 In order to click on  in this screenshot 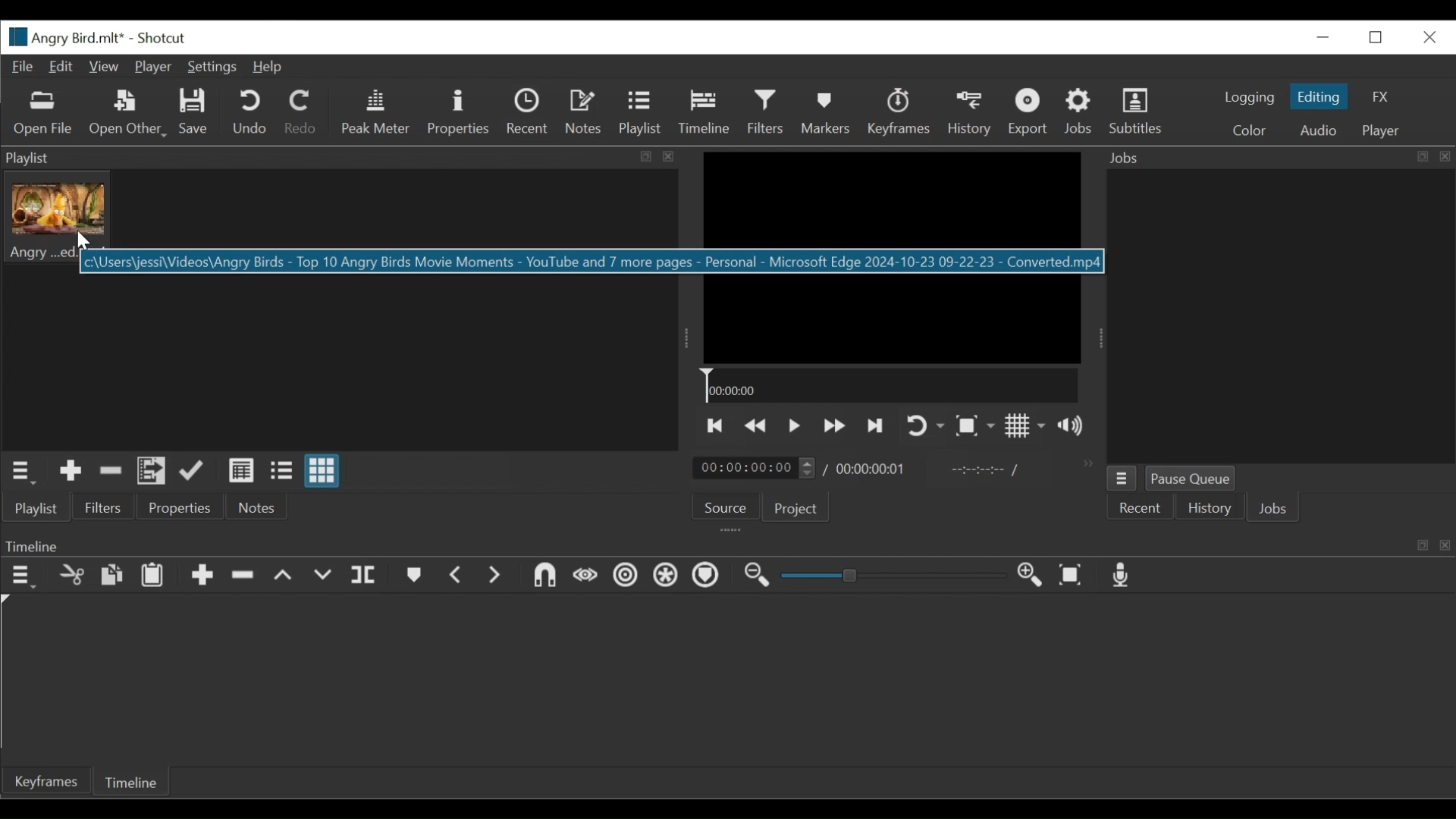, I will do `click(1250, 99)`.